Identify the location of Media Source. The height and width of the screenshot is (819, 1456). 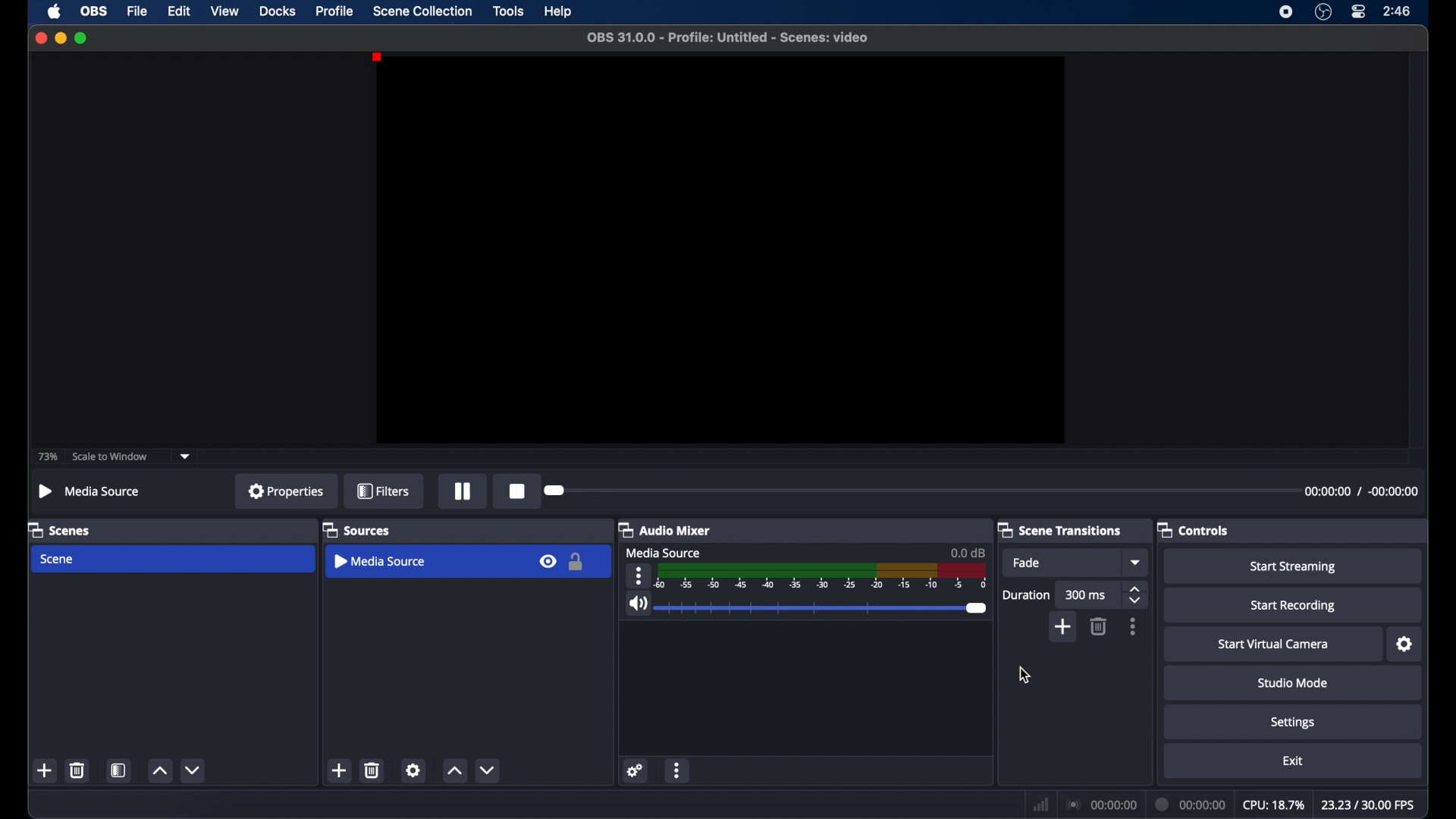
(384, 562).